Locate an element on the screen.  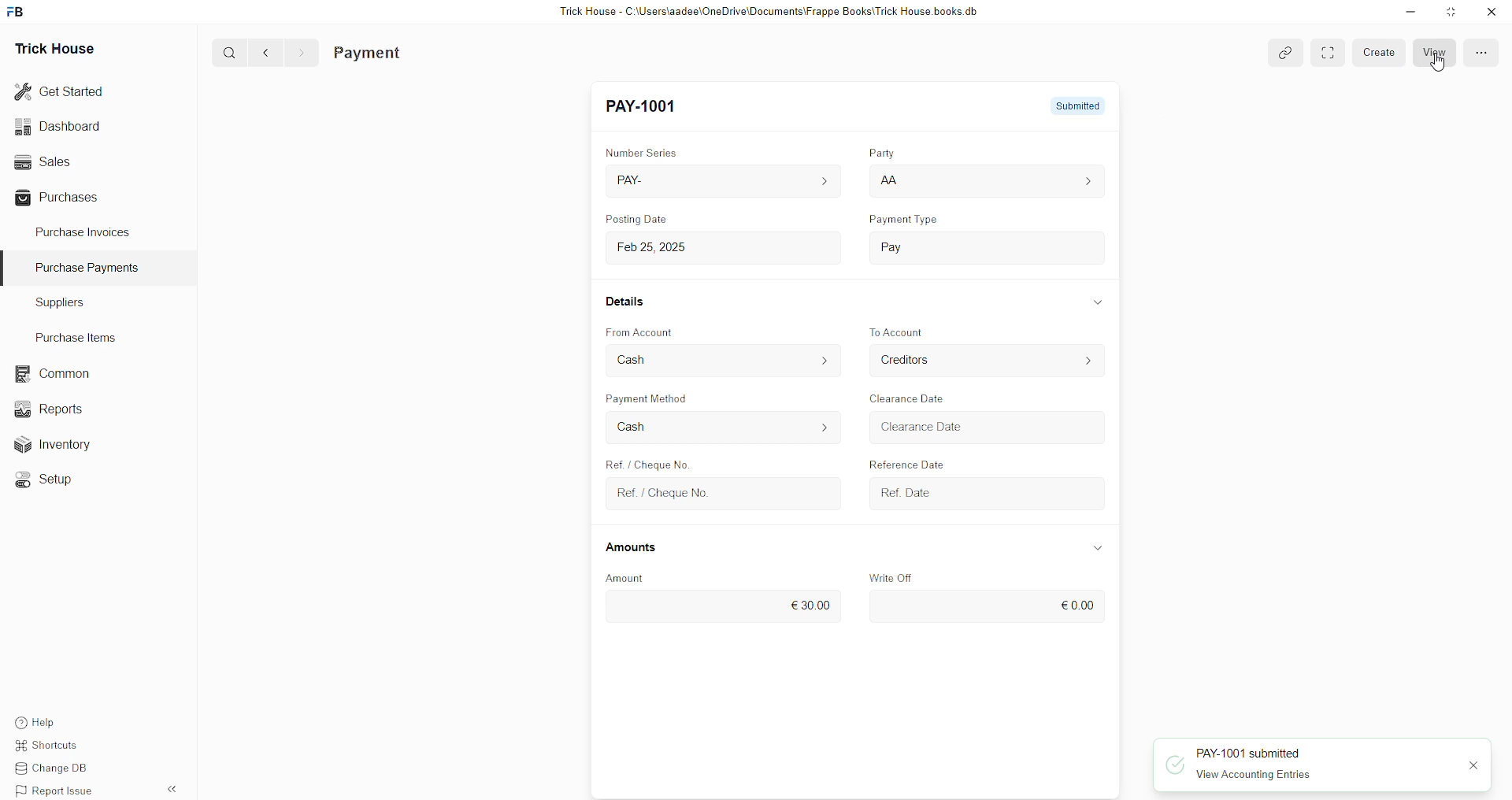
Purchase Invoices is located at coordinates (85, 231).